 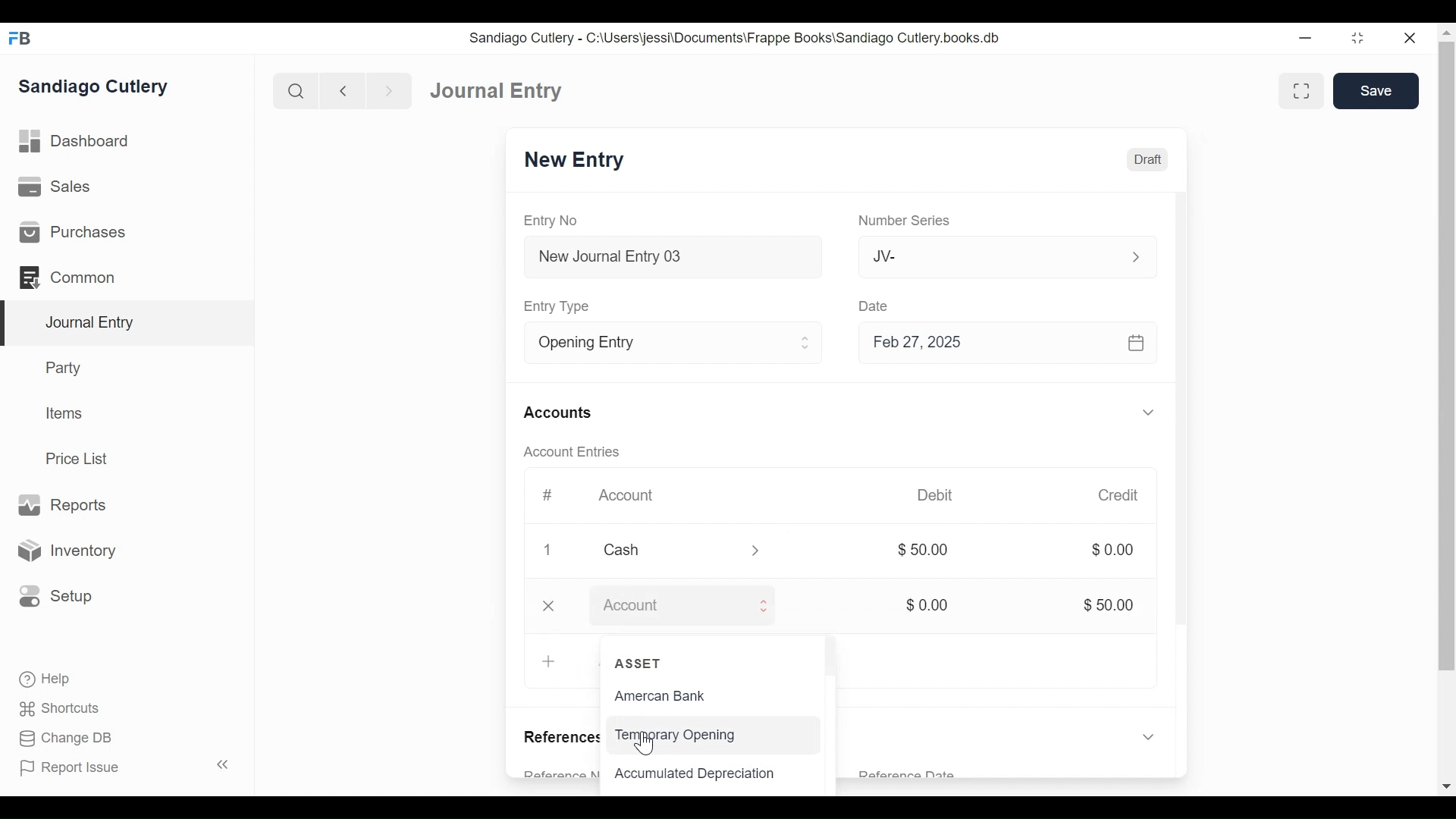 I want to click on Dashboard, so click(x=75, y=142).